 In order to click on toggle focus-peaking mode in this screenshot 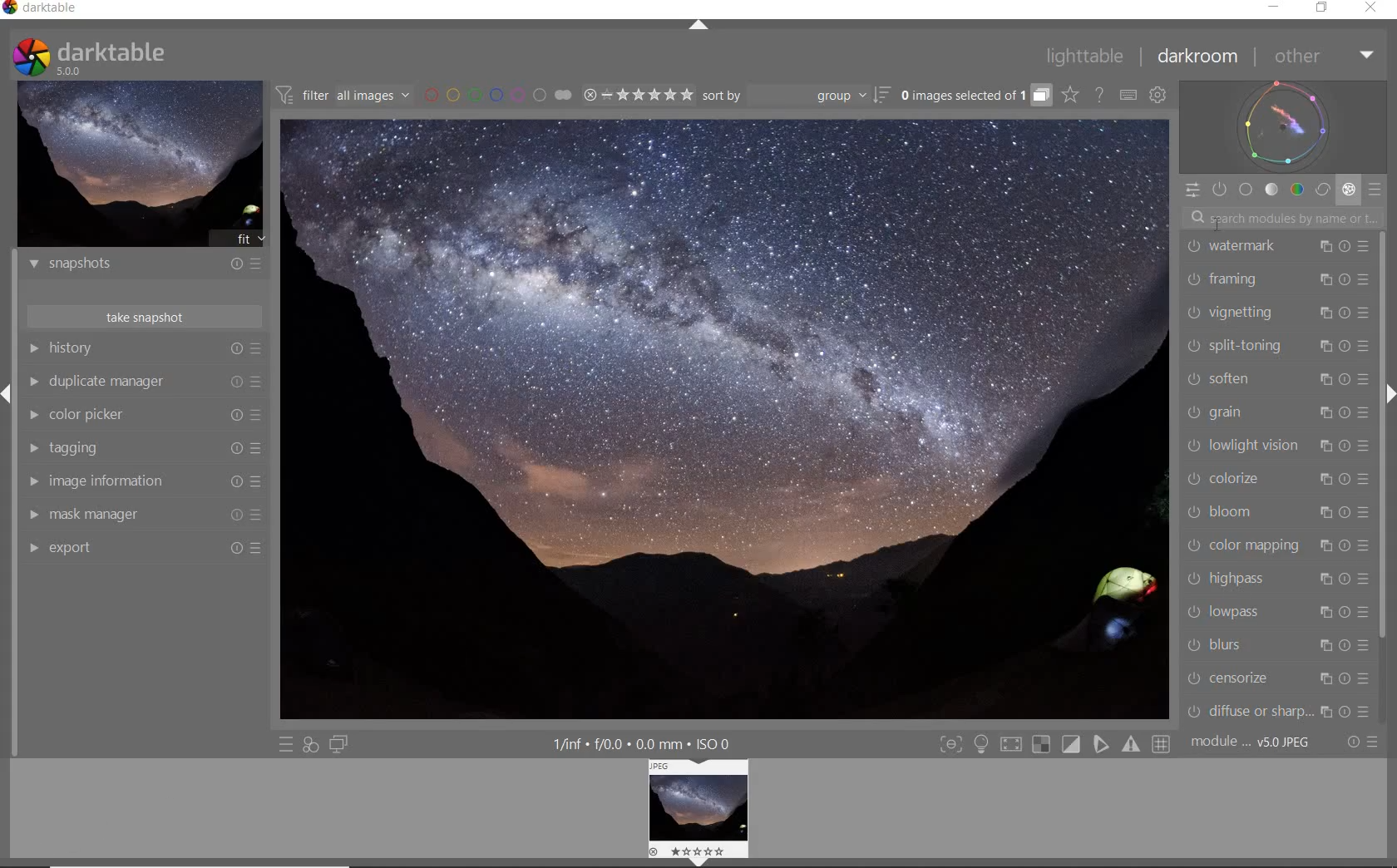, I will do `click(954, 744)`.